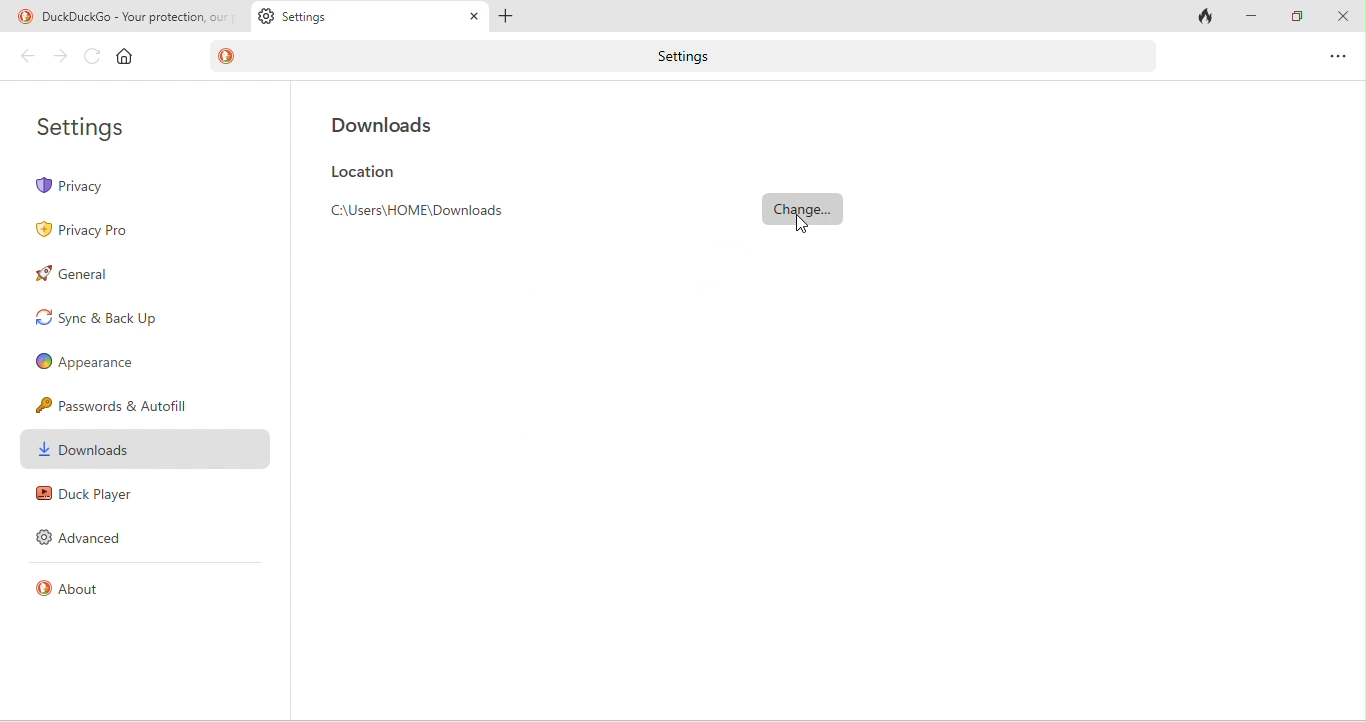 The width and height of the screenshot is (1366, 722). What do you see at coordinates (389, 122) in the screenshot?
I see `downloads` at bounding box center [389, 122].